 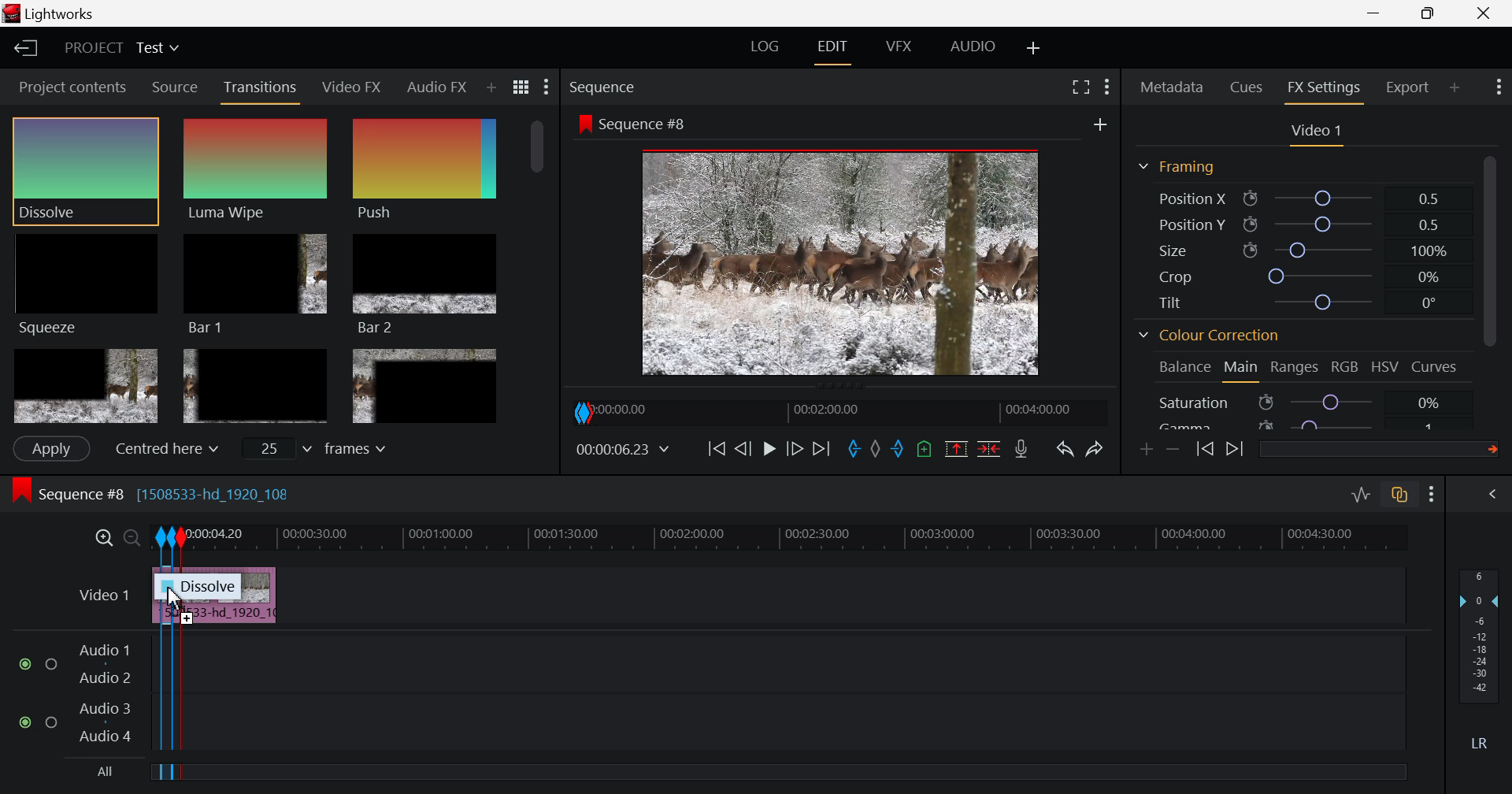 What do you see at coordinates (1435, 13) in the screenshot?
I see `Minimize` at bounding box center [1435, 13].